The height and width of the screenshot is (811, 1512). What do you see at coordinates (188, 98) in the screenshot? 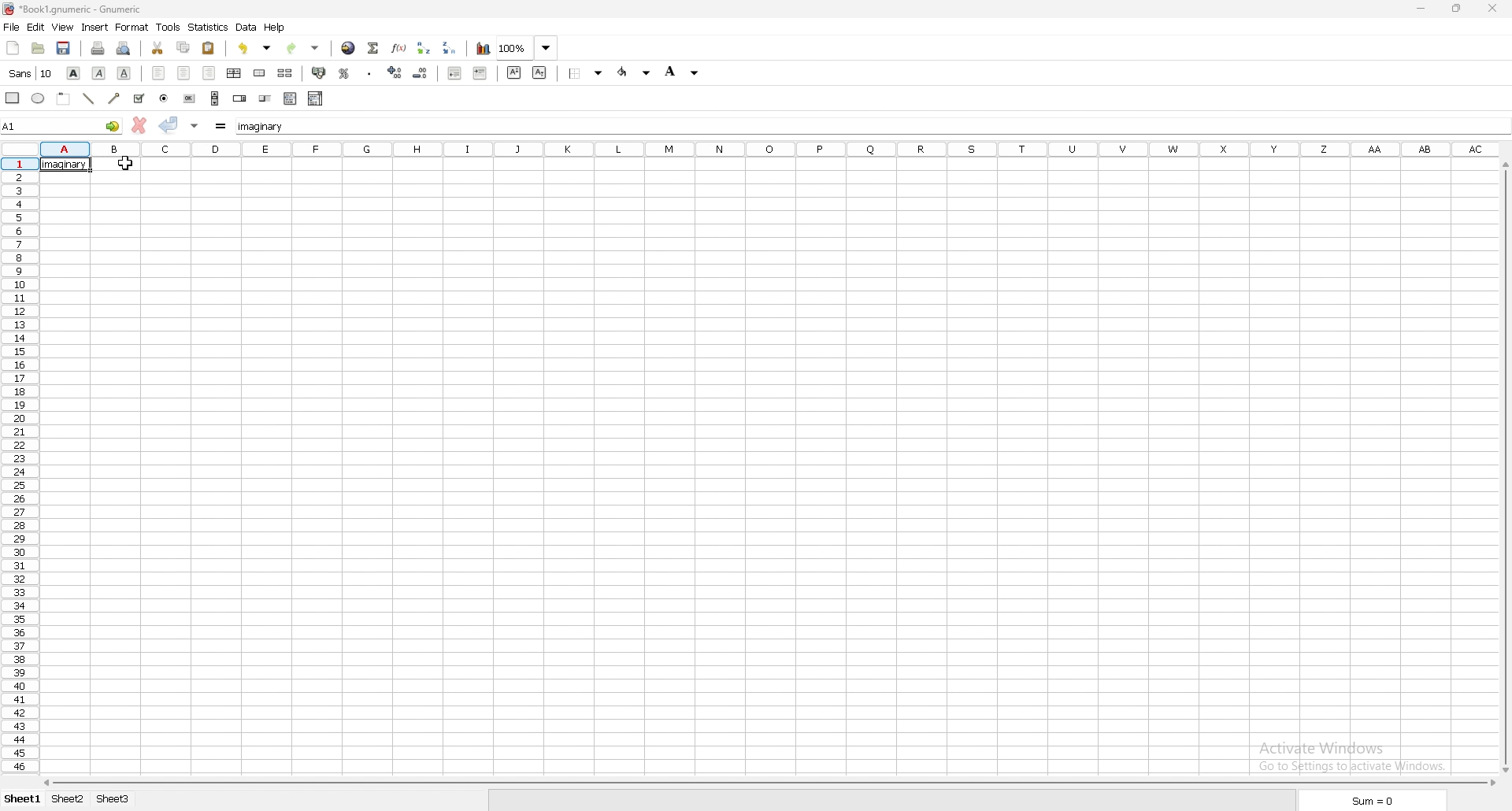
I see `button` at bounding box center [188, 98].